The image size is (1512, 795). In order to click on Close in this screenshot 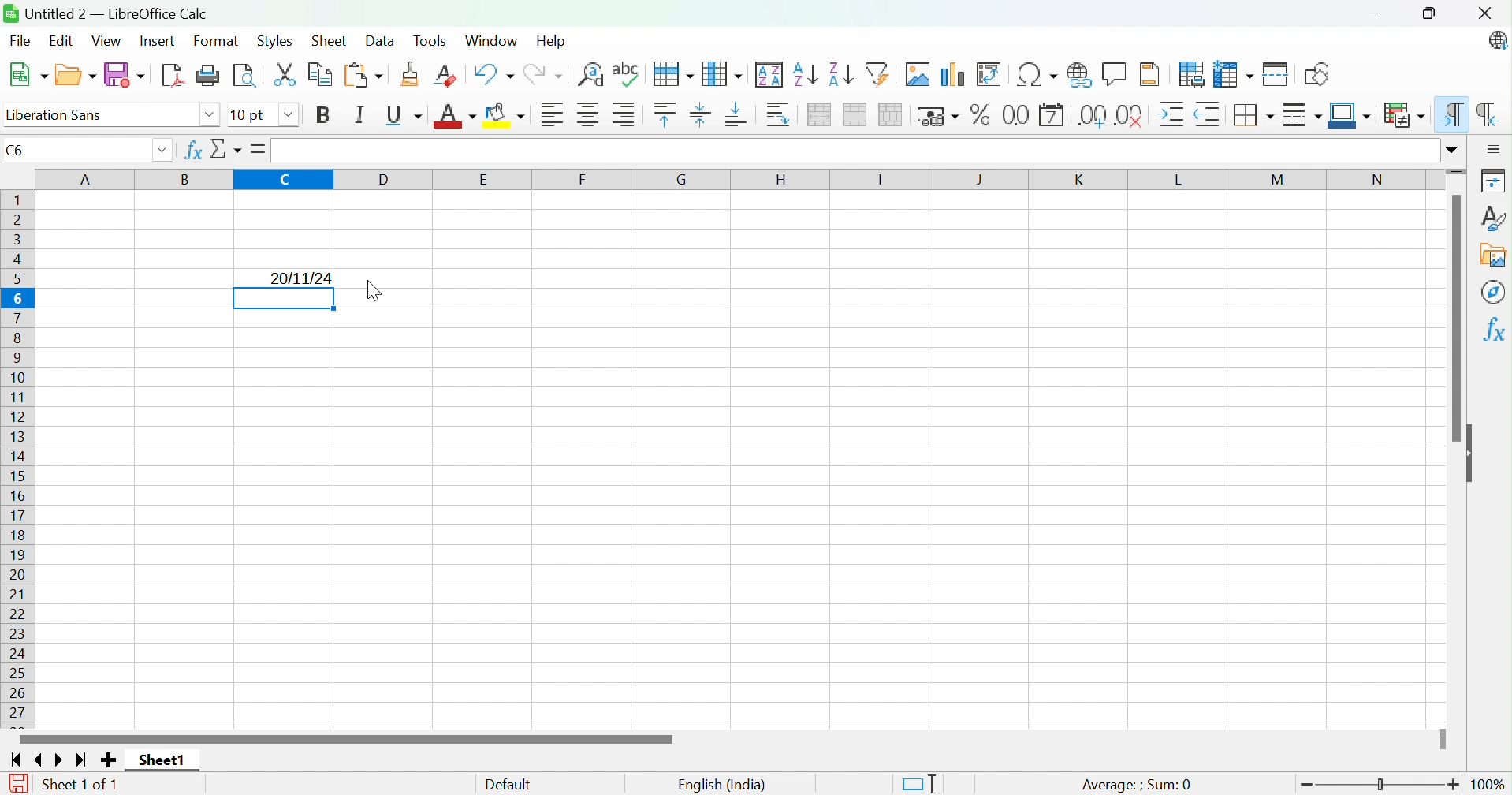, I will do `click(1483, 13)`.